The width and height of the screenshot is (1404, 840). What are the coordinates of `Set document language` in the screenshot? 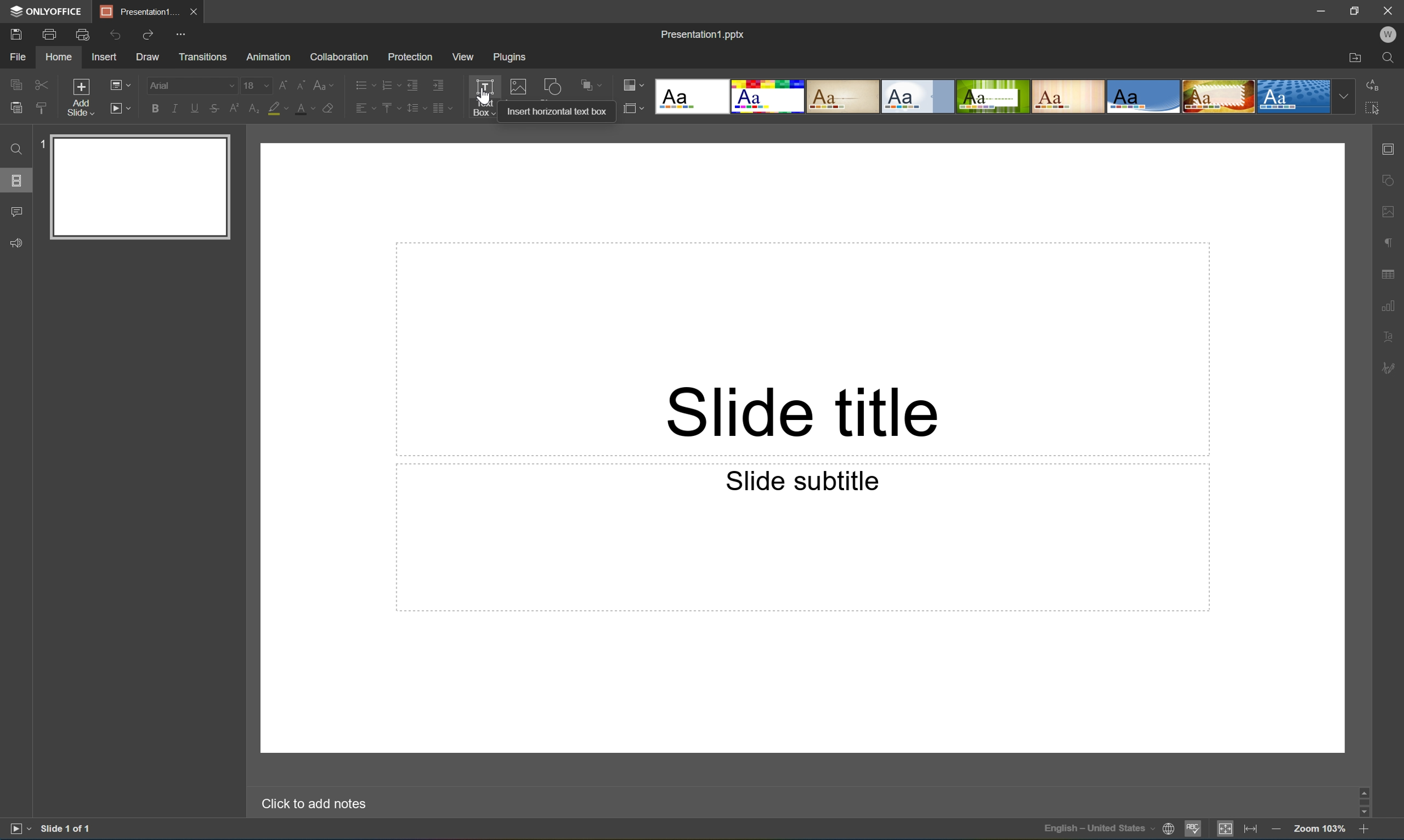 It's located at (1171, 830).